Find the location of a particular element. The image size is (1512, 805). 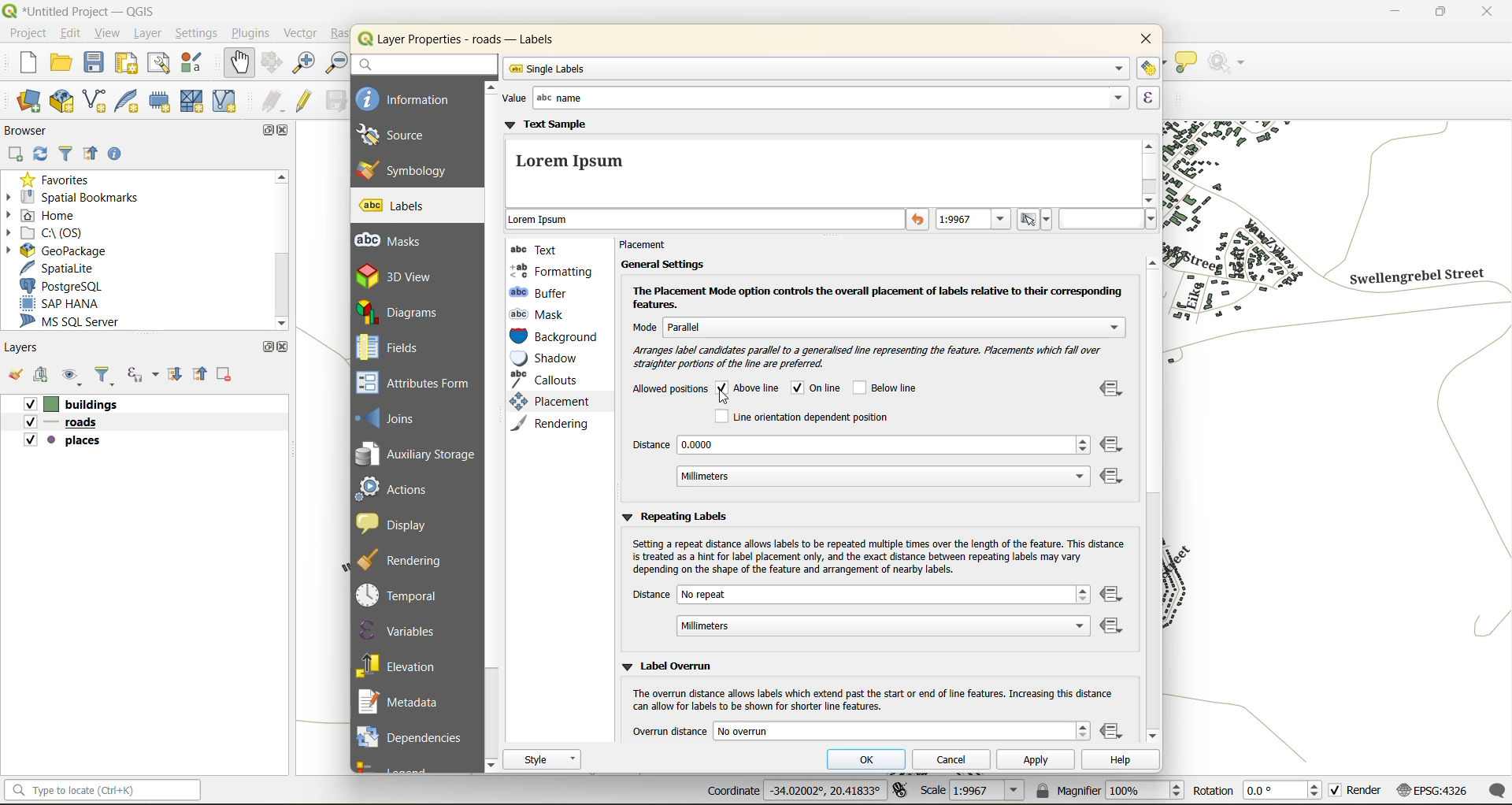

general settings is located at coordinates (661, 264).